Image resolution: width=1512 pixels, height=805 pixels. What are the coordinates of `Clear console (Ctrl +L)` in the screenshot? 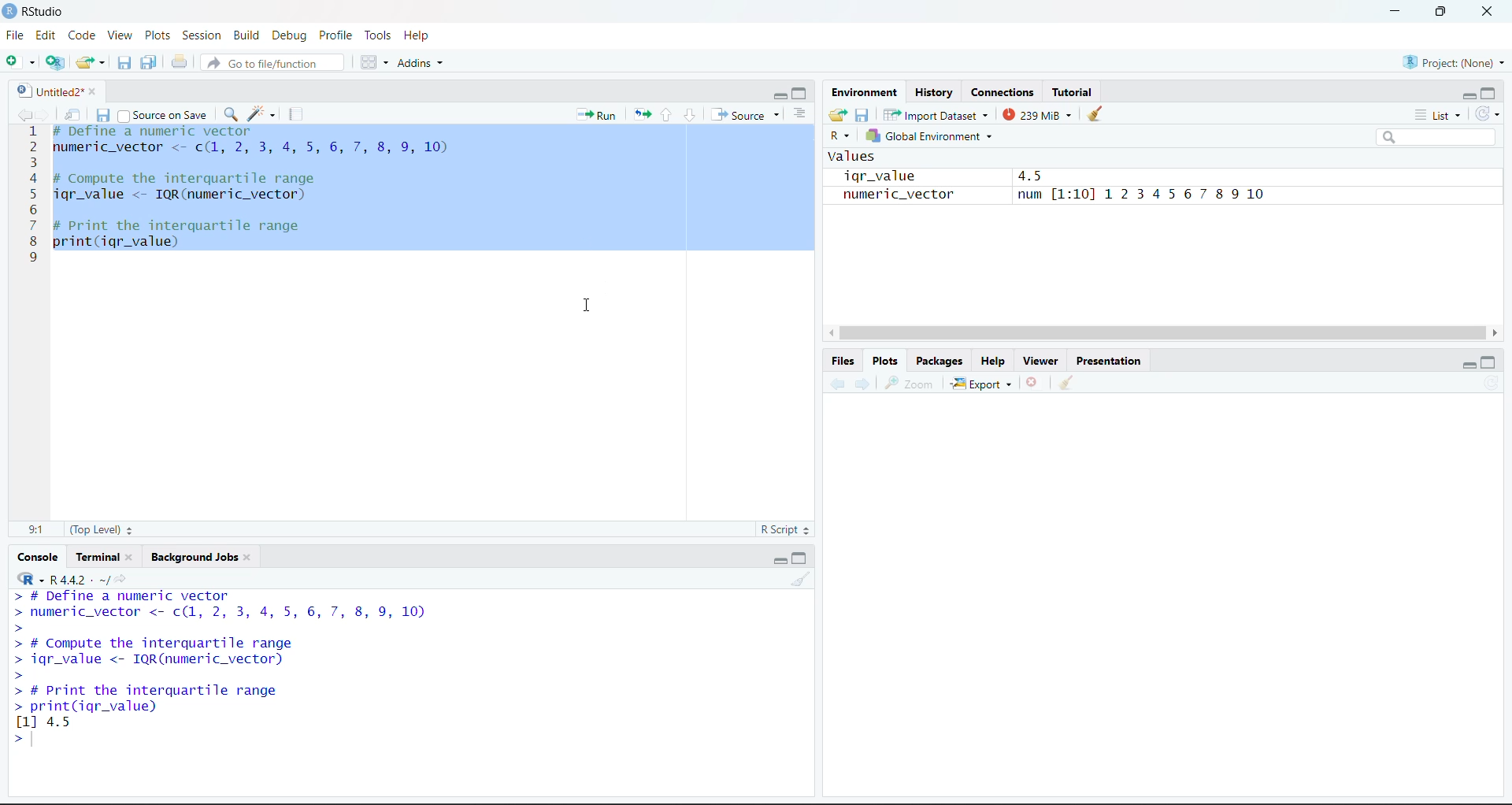 It's located at (1070, 382).